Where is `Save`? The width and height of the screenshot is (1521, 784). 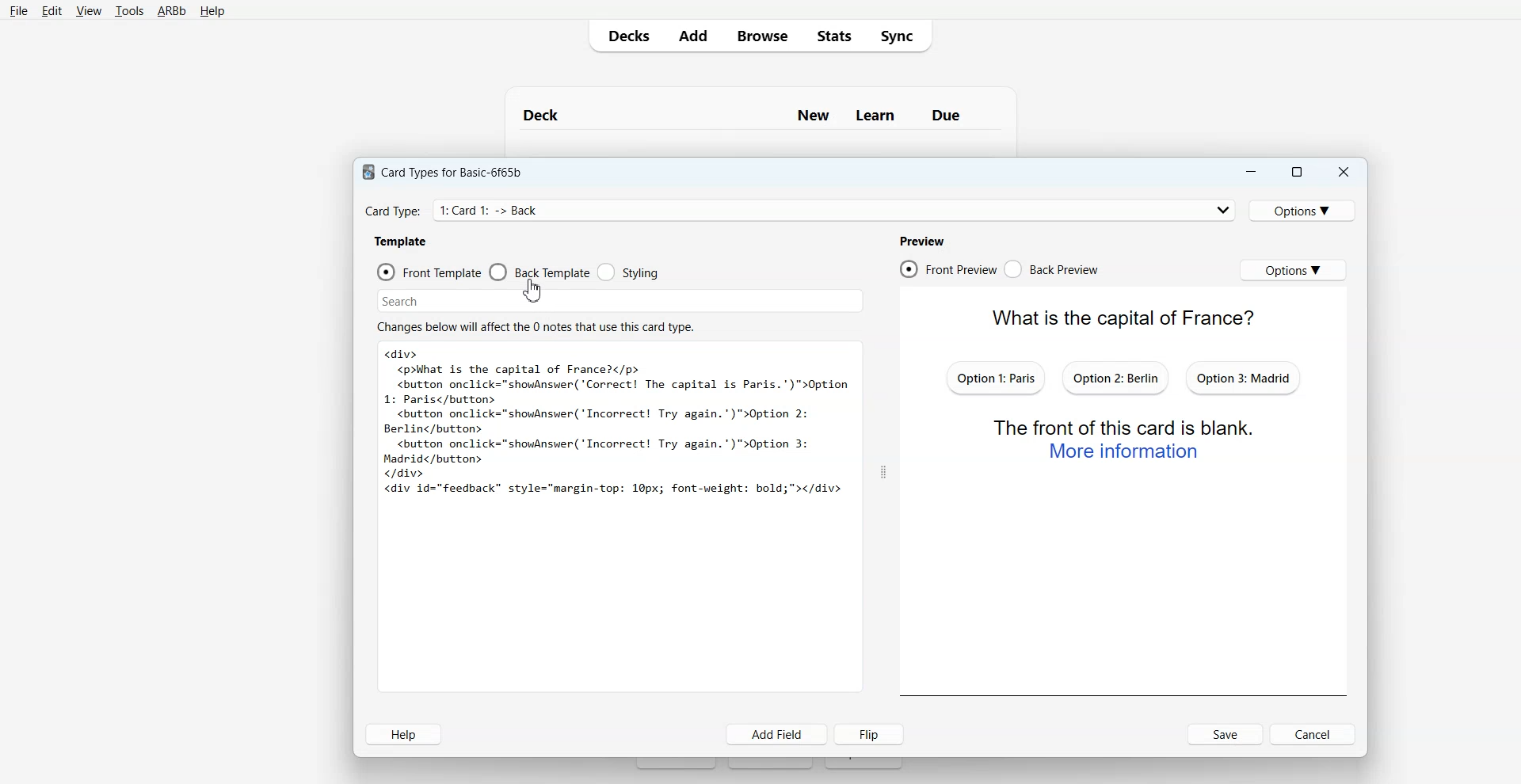
Save is located at coordinates (1225, 734).